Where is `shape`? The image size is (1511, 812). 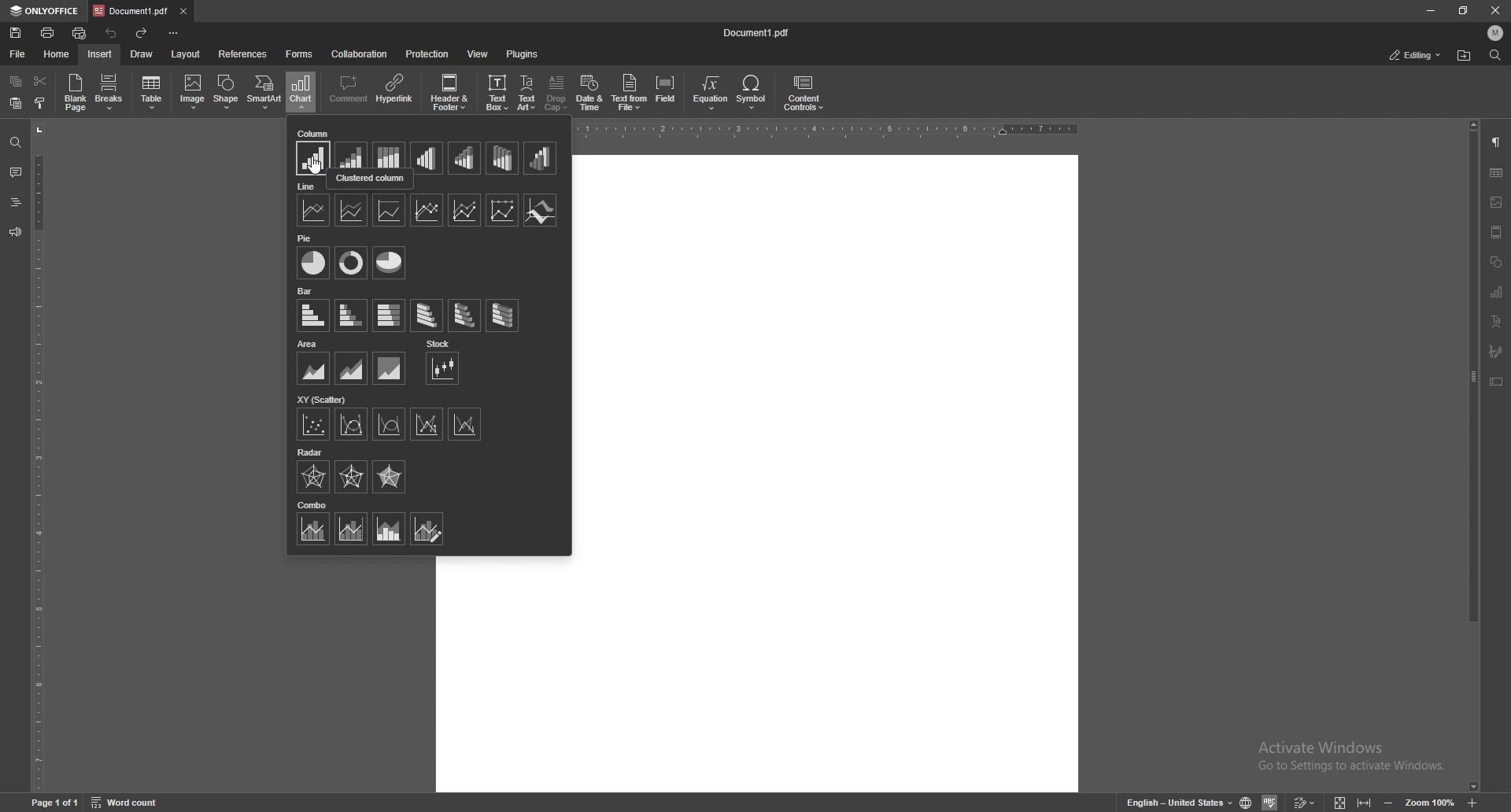
shape is located at coordinates (226, 91).